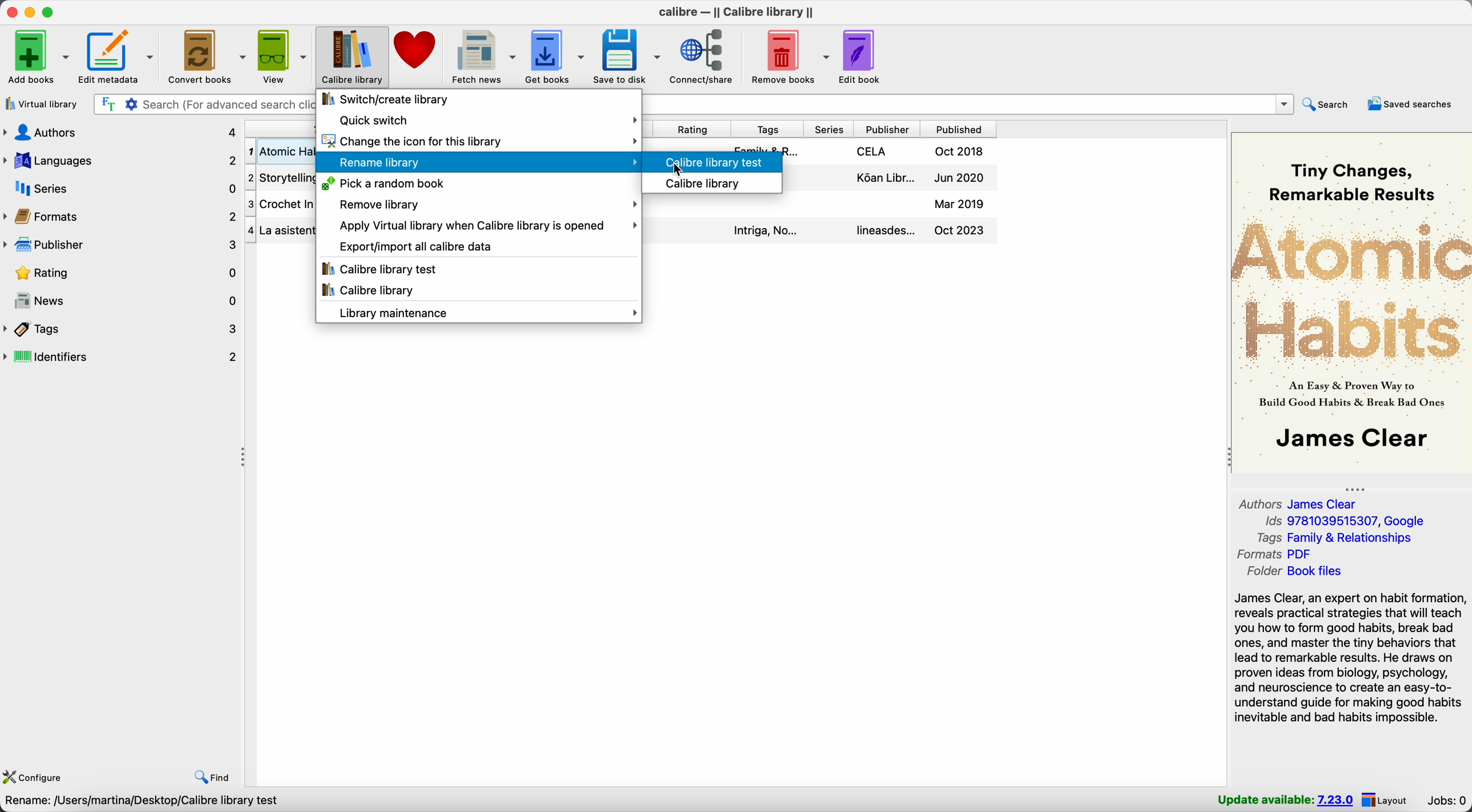  What do you see at coordinates (887, 130) in the screenshot?
I see `publisher` at bounding box center [887, 130].